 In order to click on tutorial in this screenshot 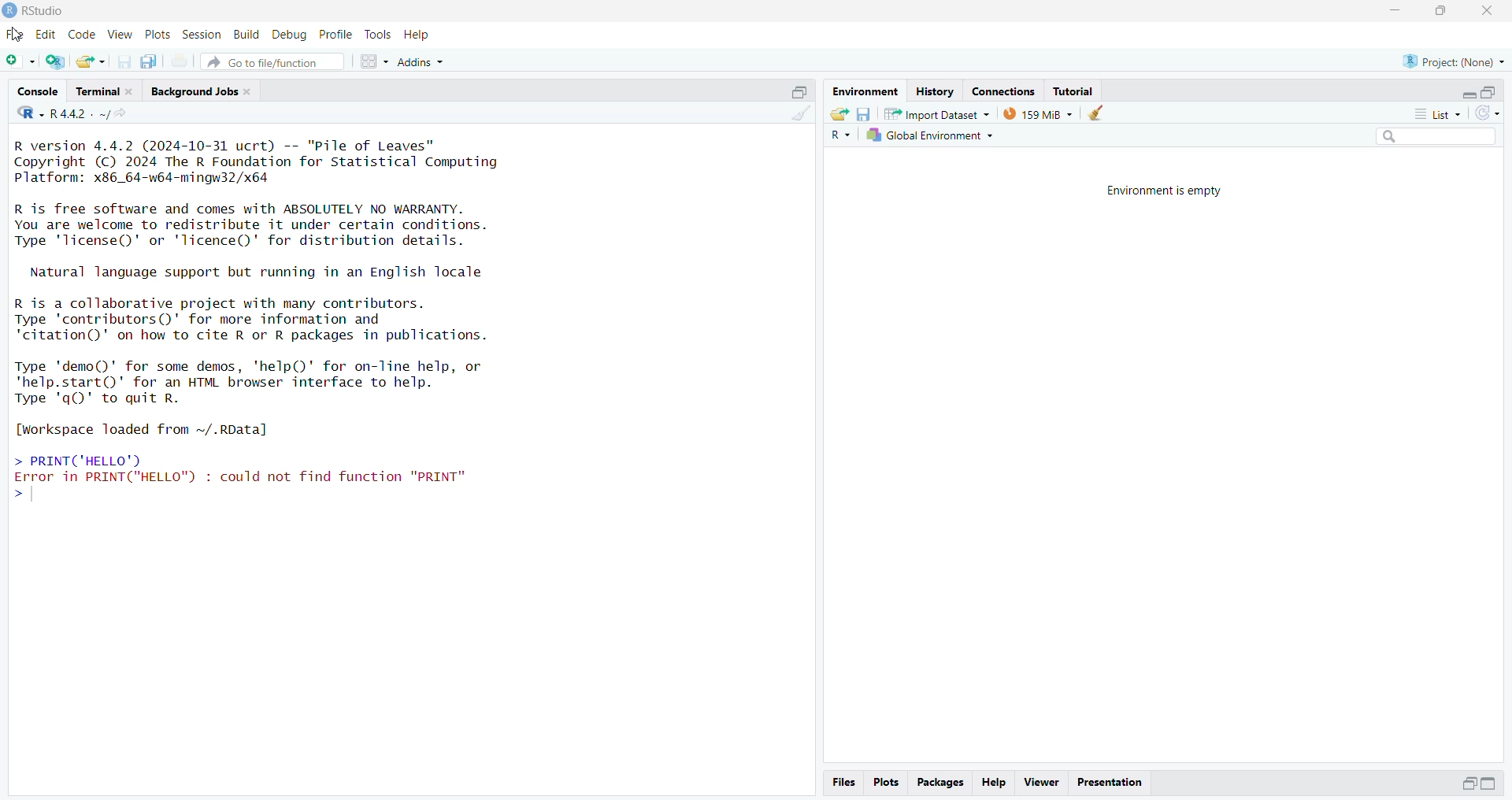, I will do `click(1075, 91)`.